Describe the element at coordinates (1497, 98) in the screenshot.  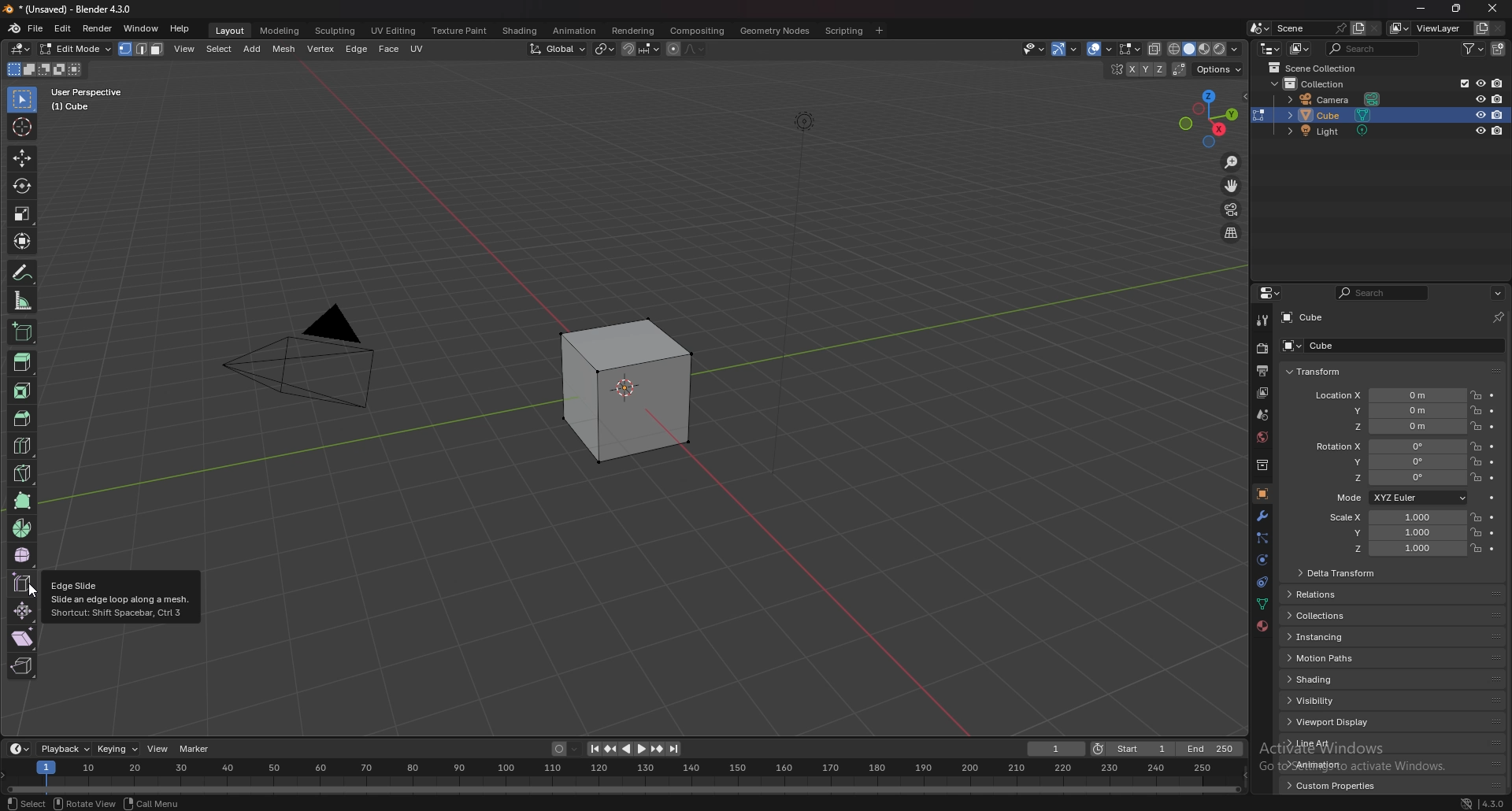
I see `disable in render` at that location.